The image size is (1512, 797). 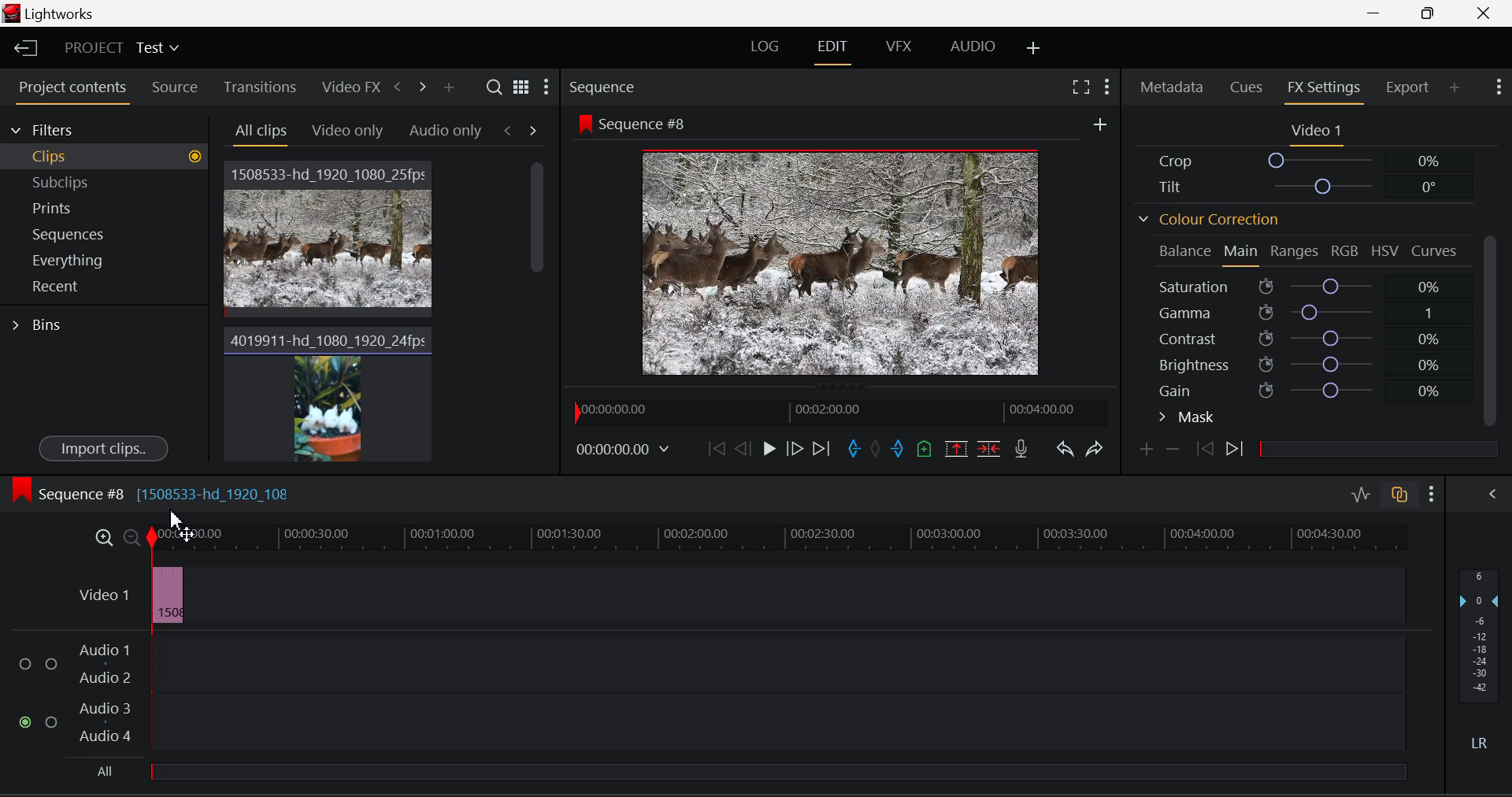 What do you see at coordinates (333, 397) in the screenshot?
I see `Video Clip 2` at bounding box center [333, 397].